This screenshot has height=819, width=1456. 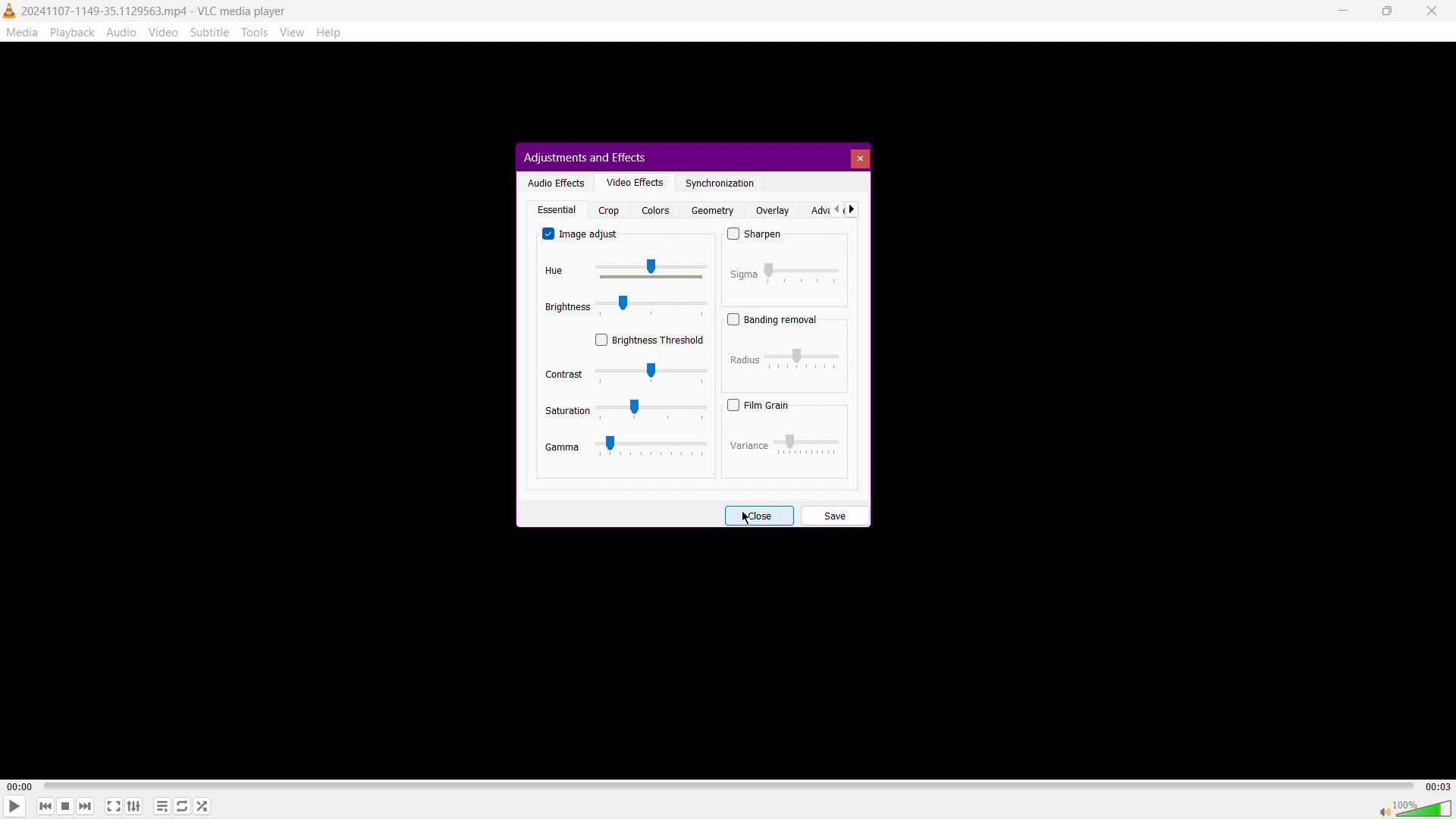 I want to click on Video Effects, so click(x=632, y=181).